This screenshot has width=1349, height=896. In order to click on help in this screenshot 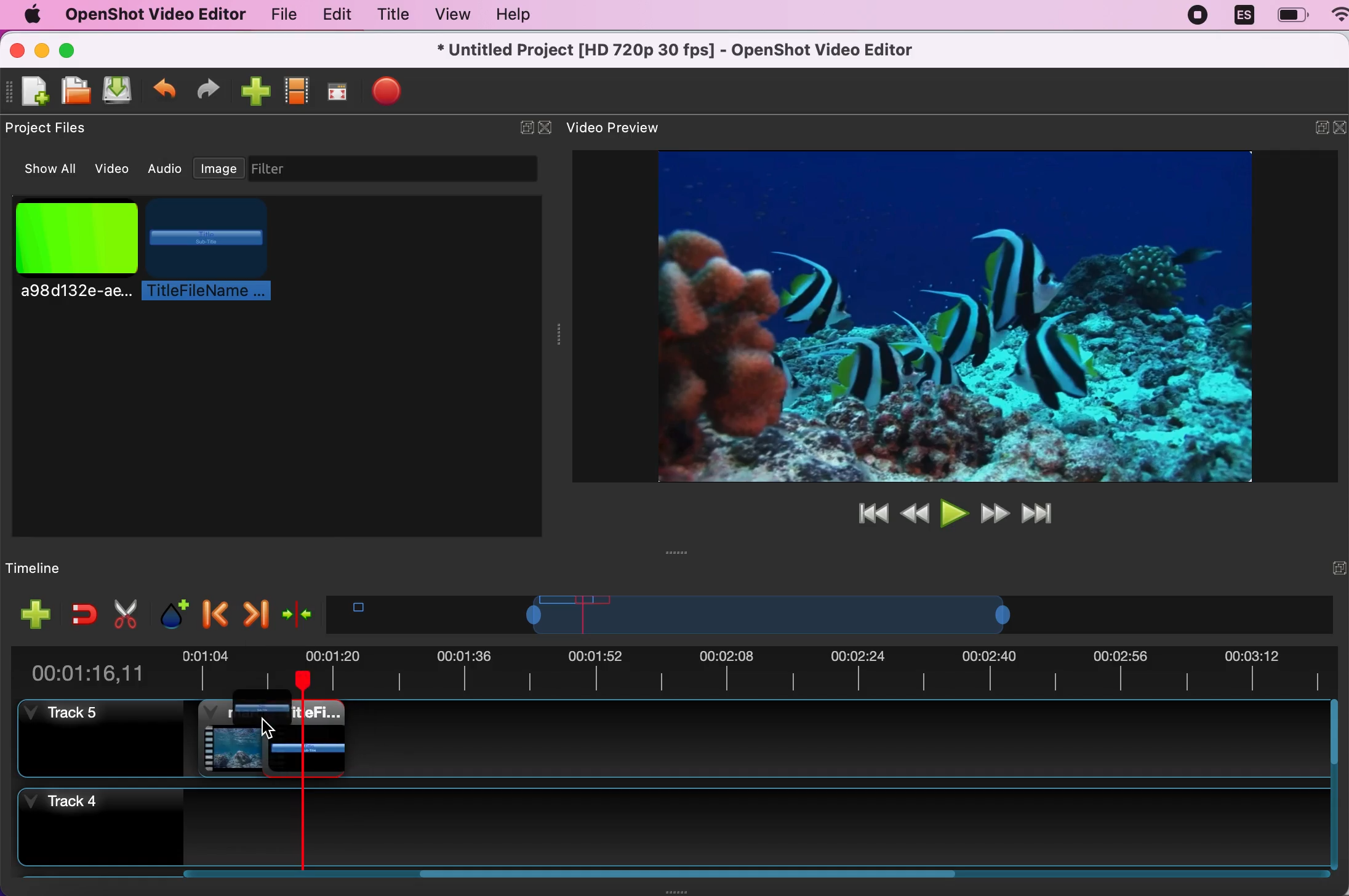, I will do `click(524, 15)`.